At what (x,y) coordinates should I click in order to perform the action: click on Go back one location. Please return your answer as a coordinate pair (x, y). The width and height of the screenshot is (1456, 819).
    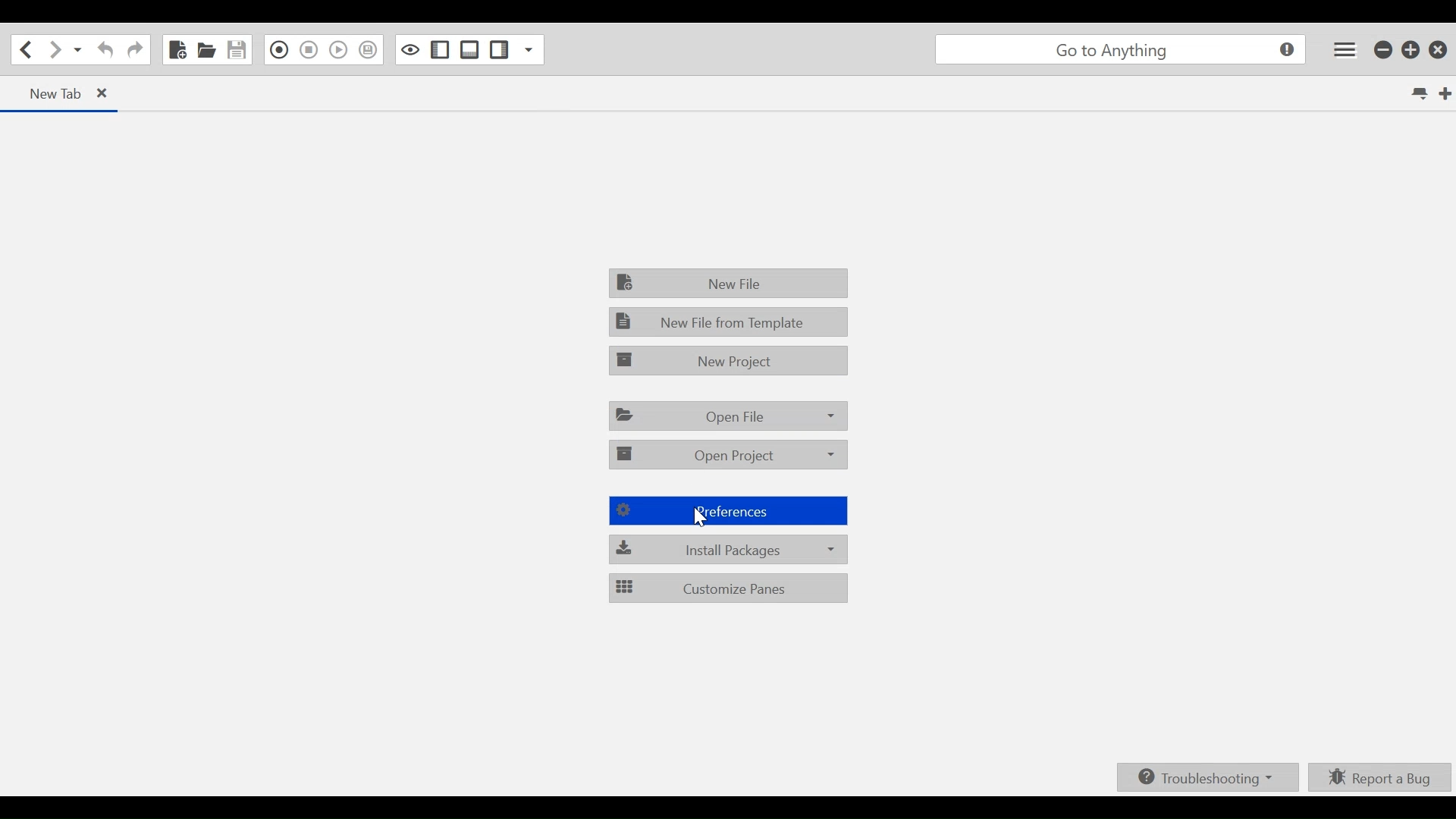
    Looking at the image, I should click on (25, 49).